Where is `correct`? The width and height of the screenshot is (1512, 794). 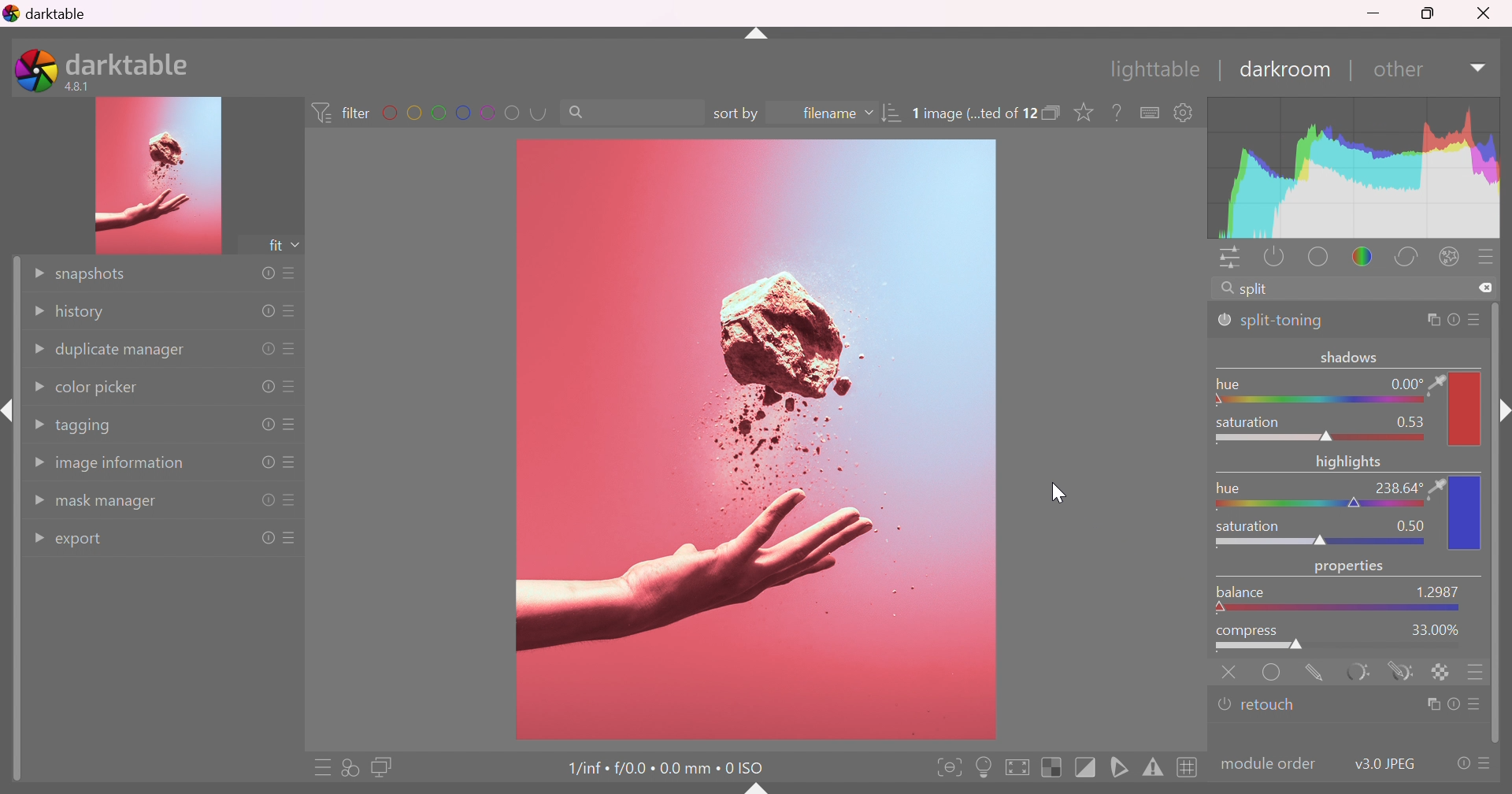 correct is located at coordinates (1410, 258).